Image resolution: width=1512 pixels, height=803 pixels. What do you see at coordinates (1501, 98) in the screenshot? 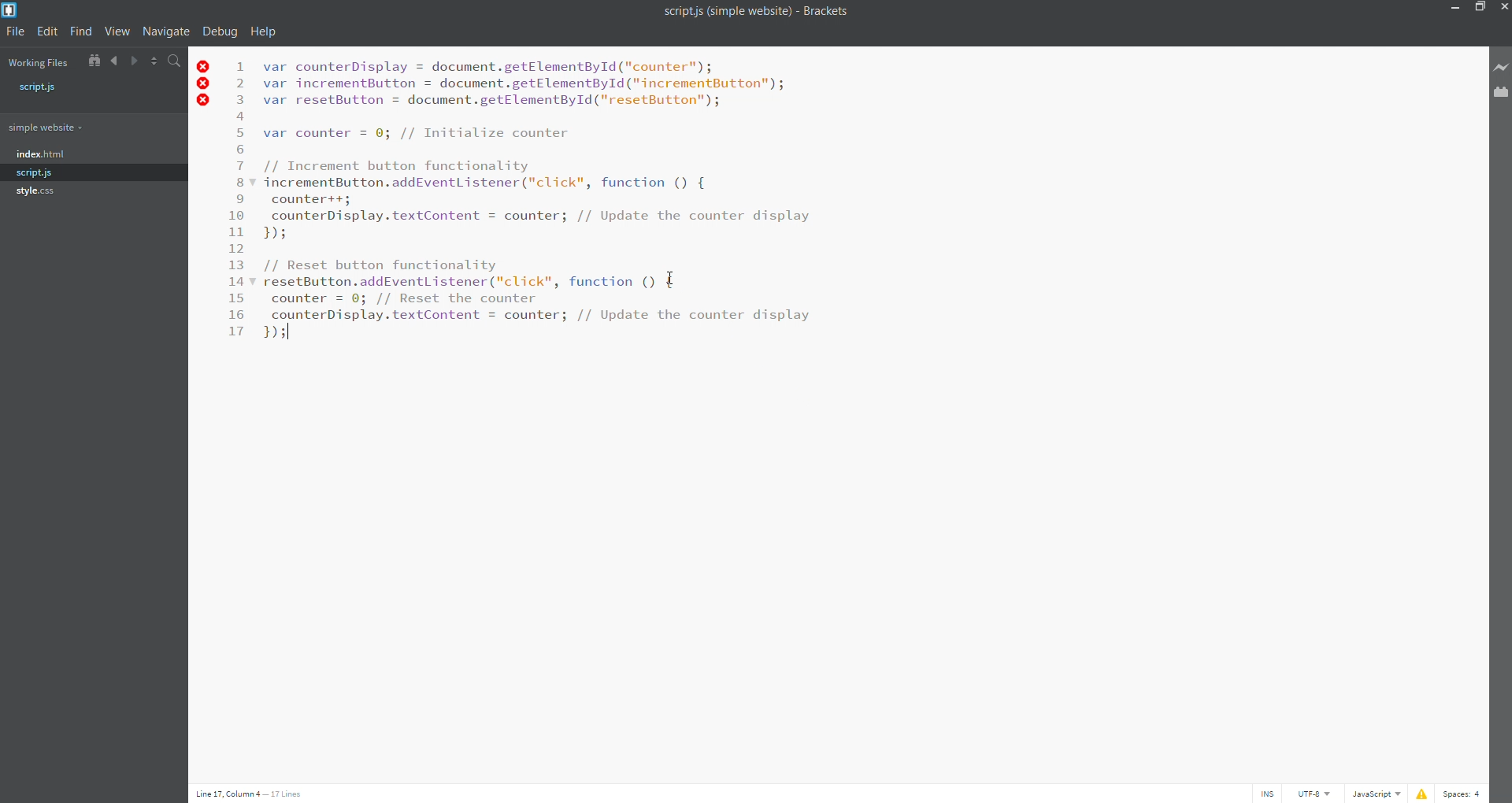
I see `extension manager` at bounding box center [1501, 98].